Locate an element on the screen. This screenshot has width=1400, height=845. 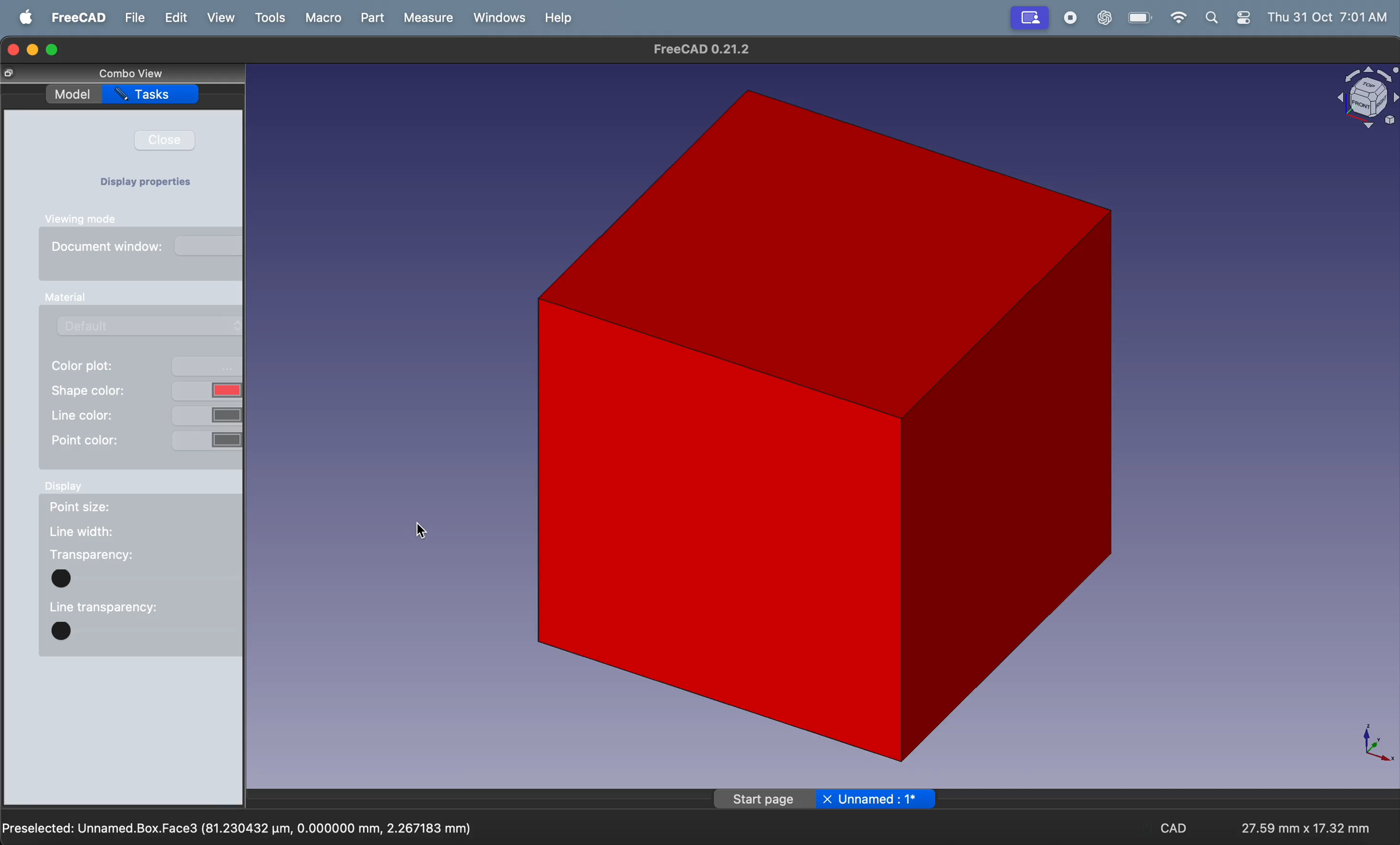
toogle is located at coordinates (145, 578).